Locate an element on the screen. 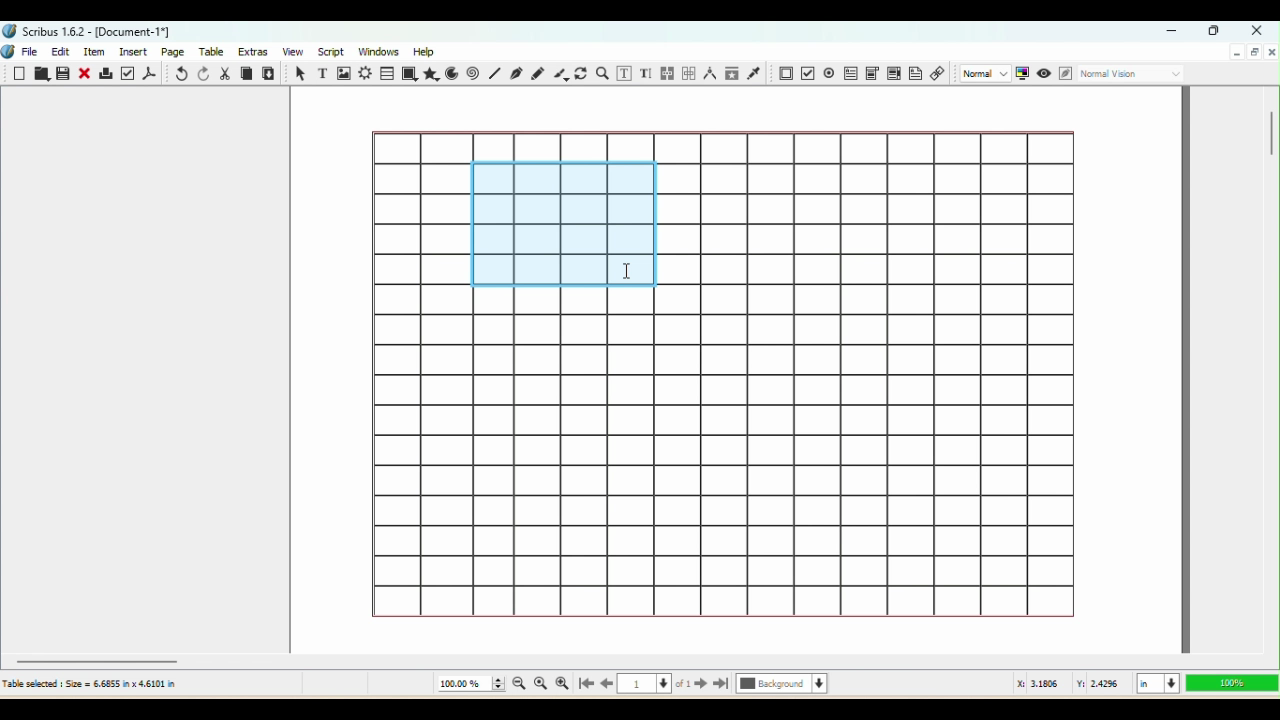  PDF Push button is located at coordinates (784, 73).